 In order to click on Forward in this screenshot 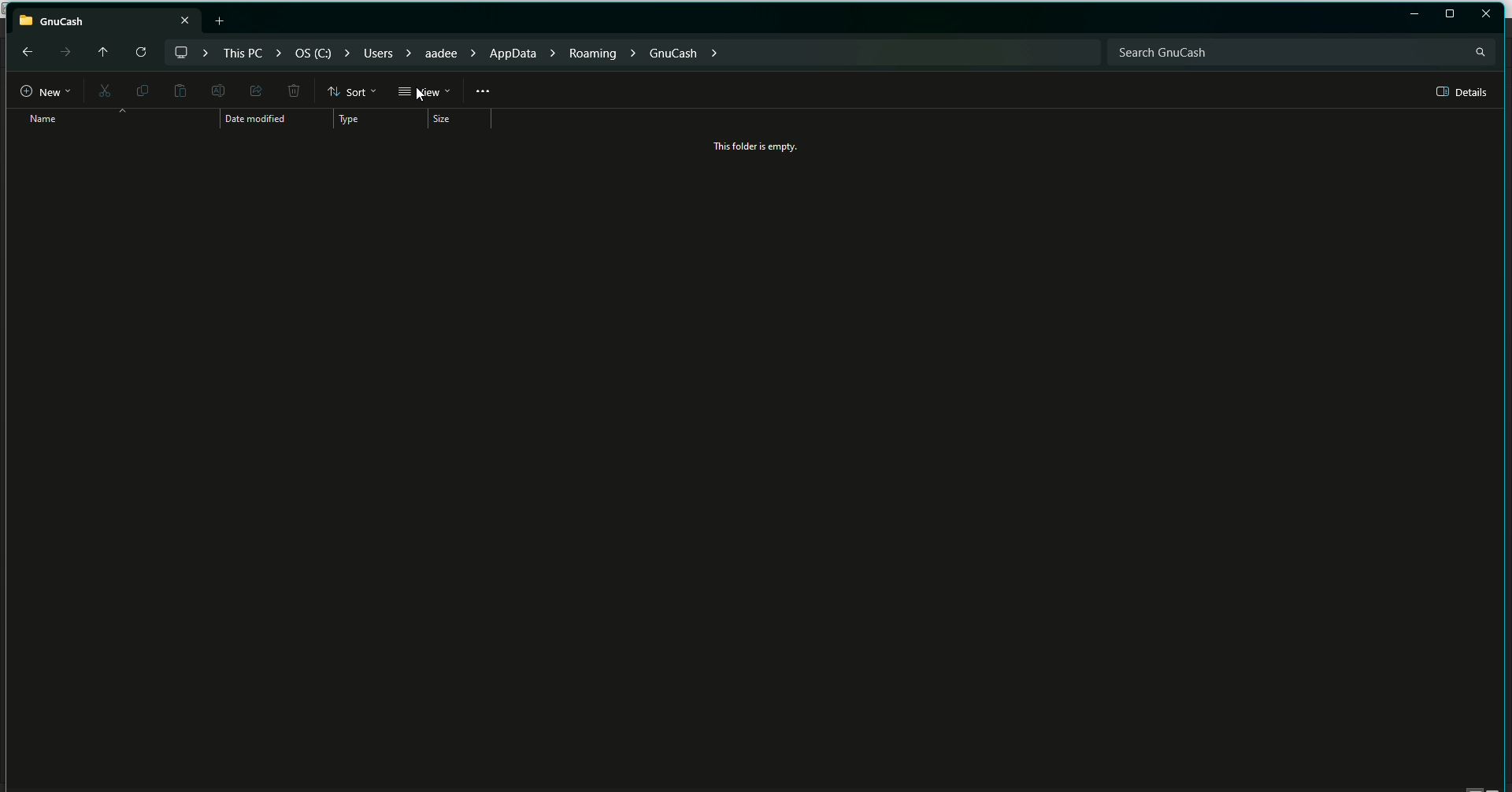, I will do `click(64, 52)`.